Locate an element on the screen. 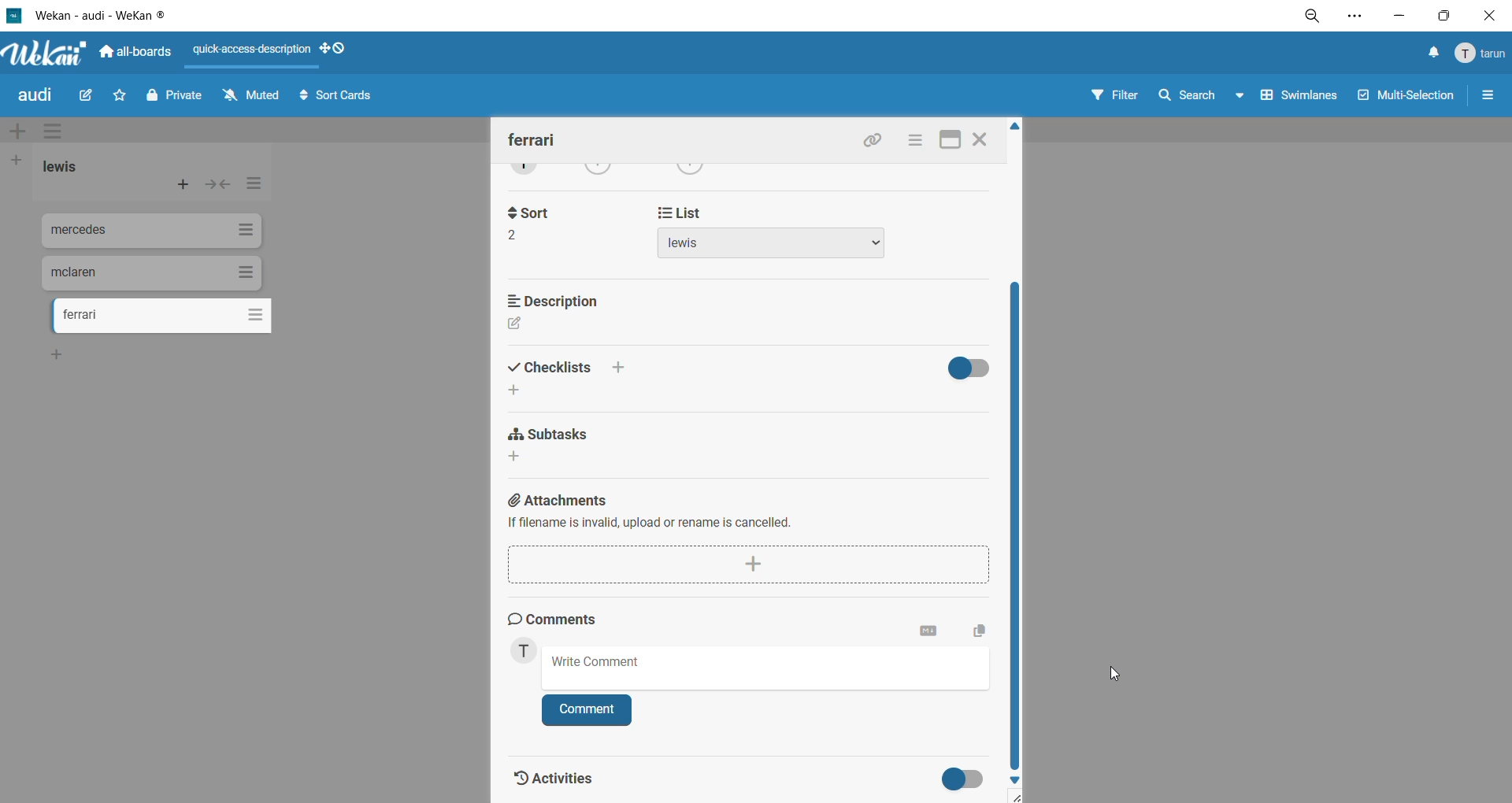  close is located at coordinates (981, 142).